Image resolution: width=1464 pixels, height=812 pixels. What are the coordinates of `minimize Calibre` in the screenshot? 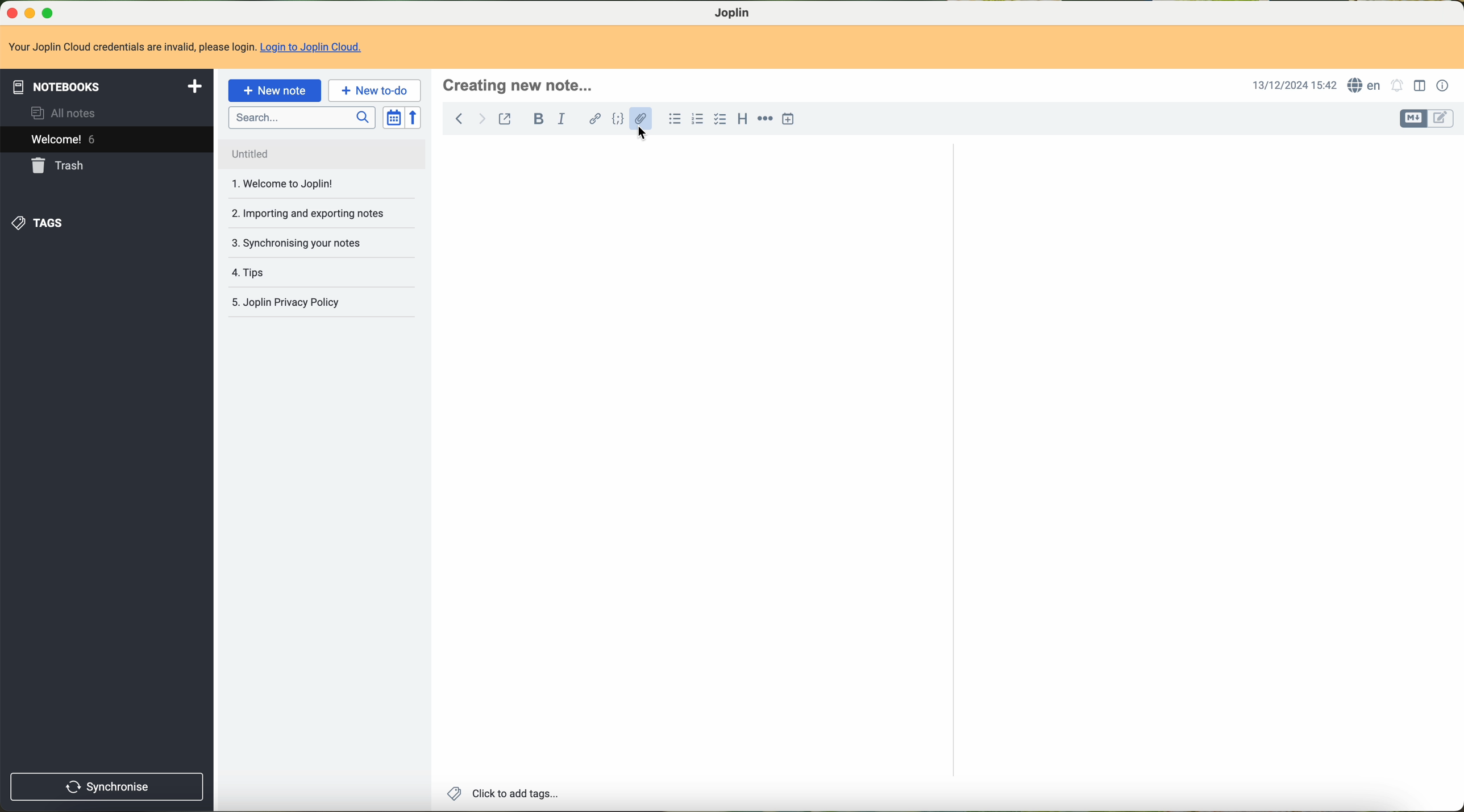 It's located at (32, 13).